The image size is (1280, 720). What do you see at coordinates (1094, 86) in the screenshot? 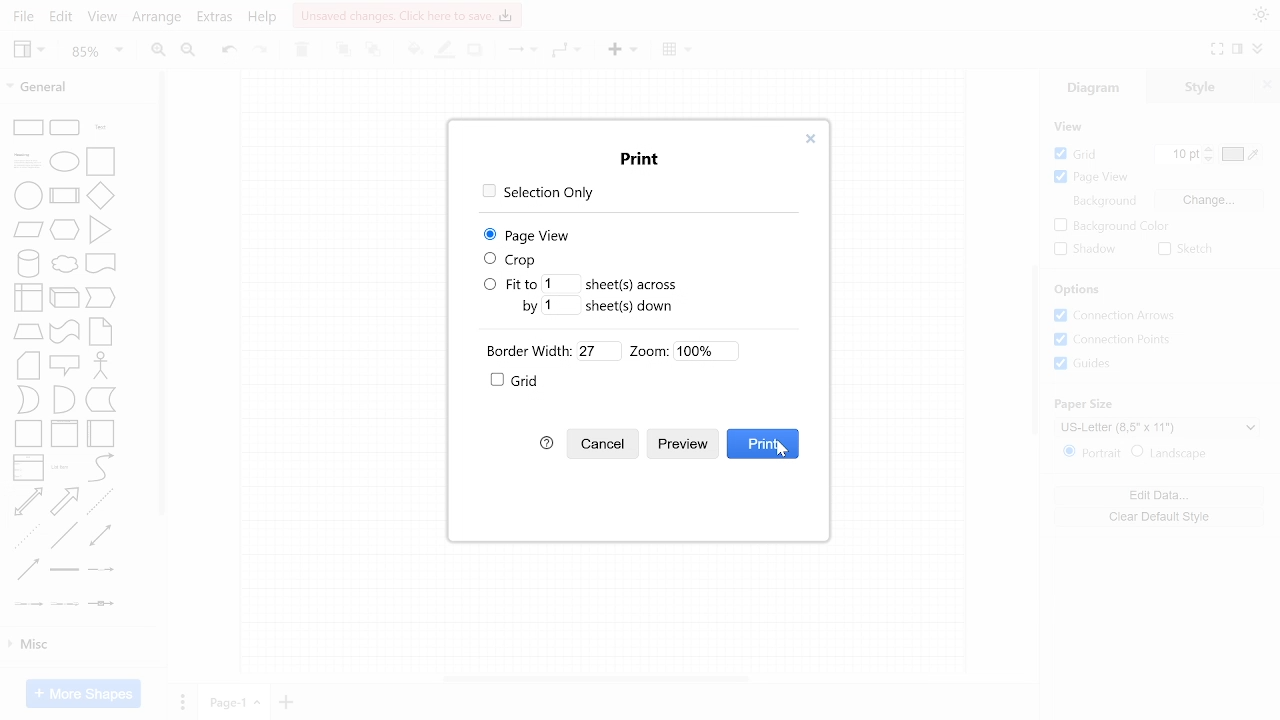
I see `Diagram` at bounding box center [1094, 86].